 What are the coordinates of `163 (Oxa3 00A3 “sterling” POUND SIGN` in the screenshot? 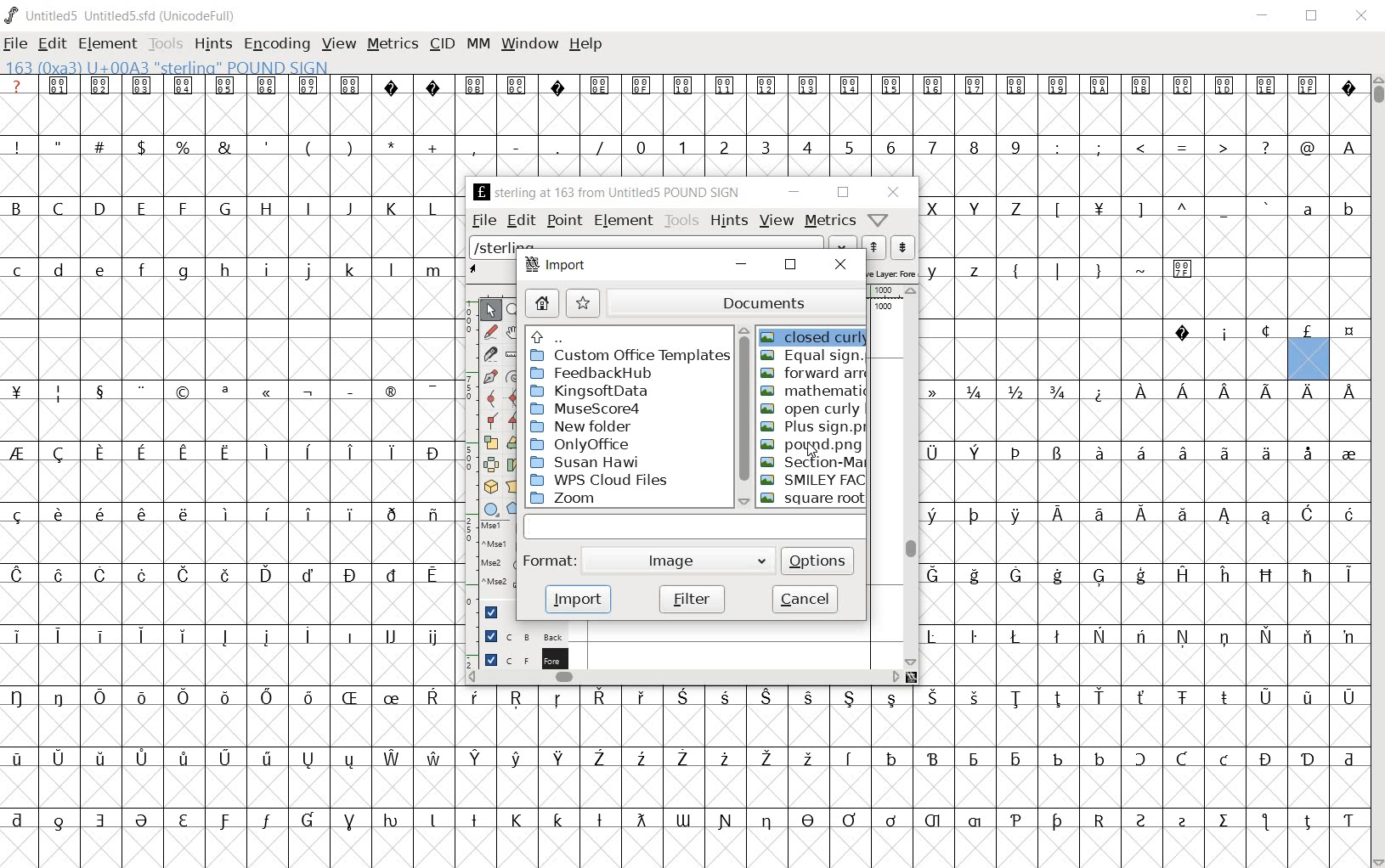 It's located at (173, 65).